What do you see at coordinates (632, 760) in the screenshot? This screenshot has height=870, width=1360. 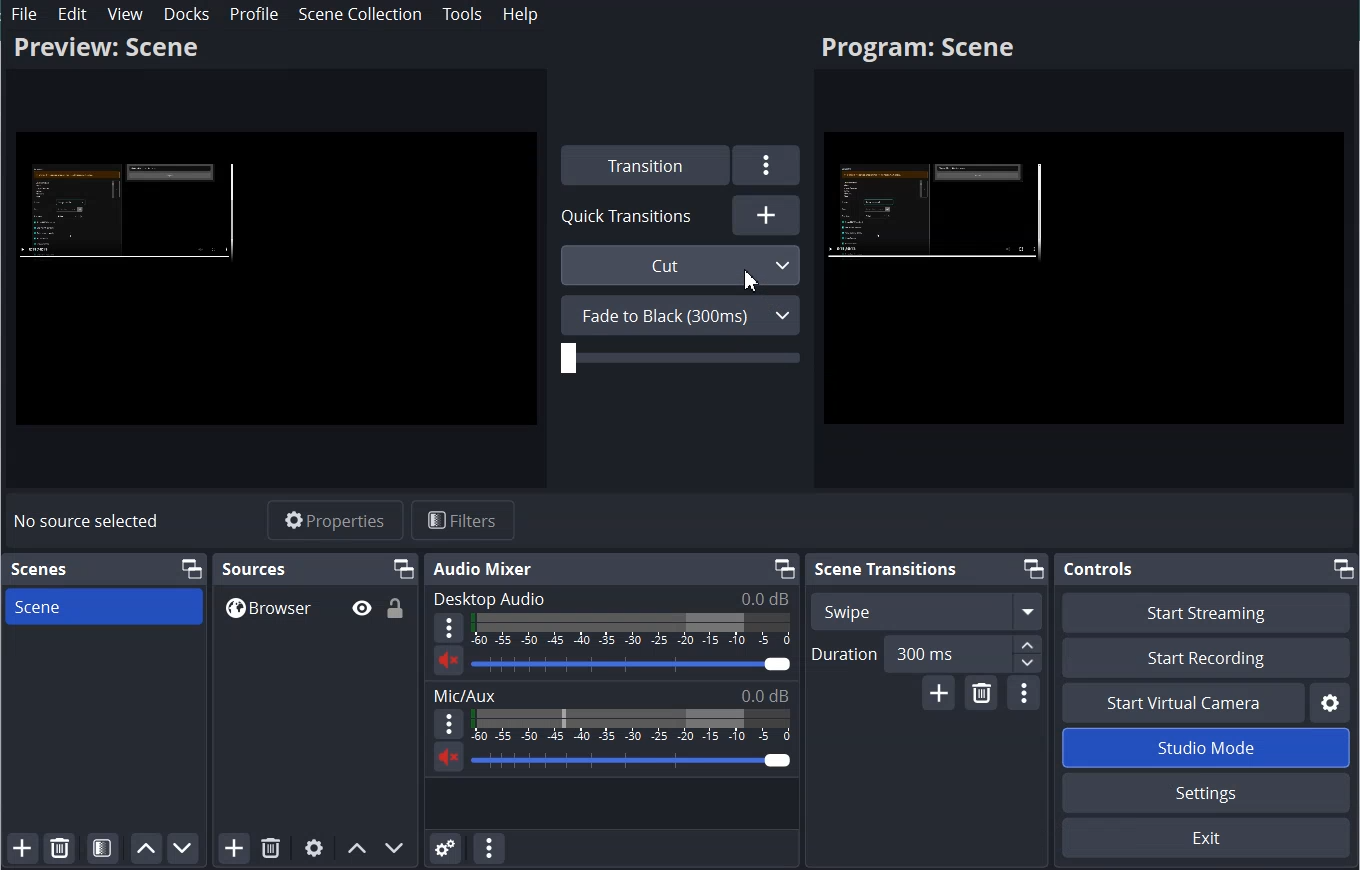 I see `Volume Adjuster` at bounding box center [632, 760].